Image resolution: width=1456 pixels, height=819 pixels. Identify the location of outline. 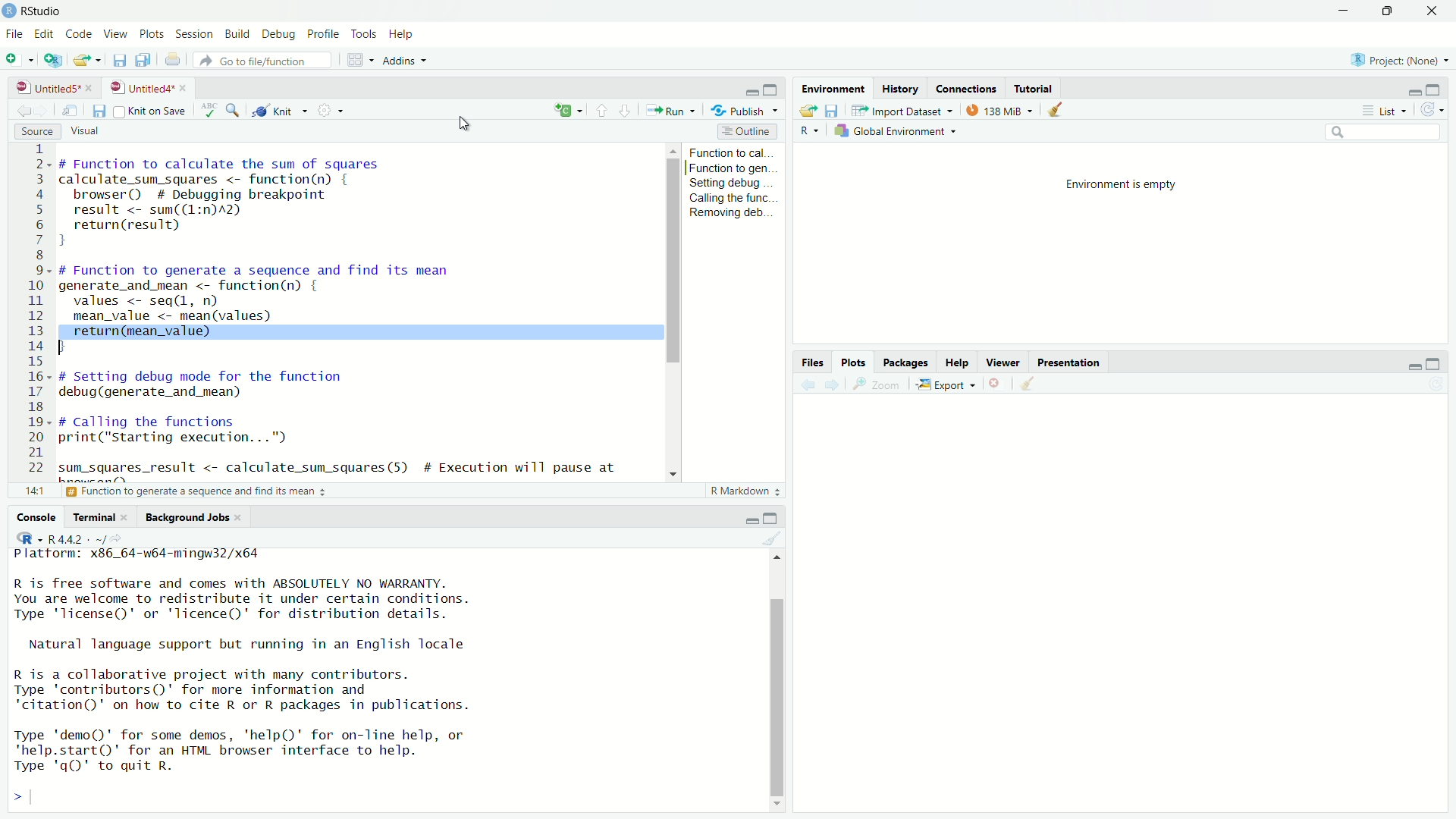
(749, 130).